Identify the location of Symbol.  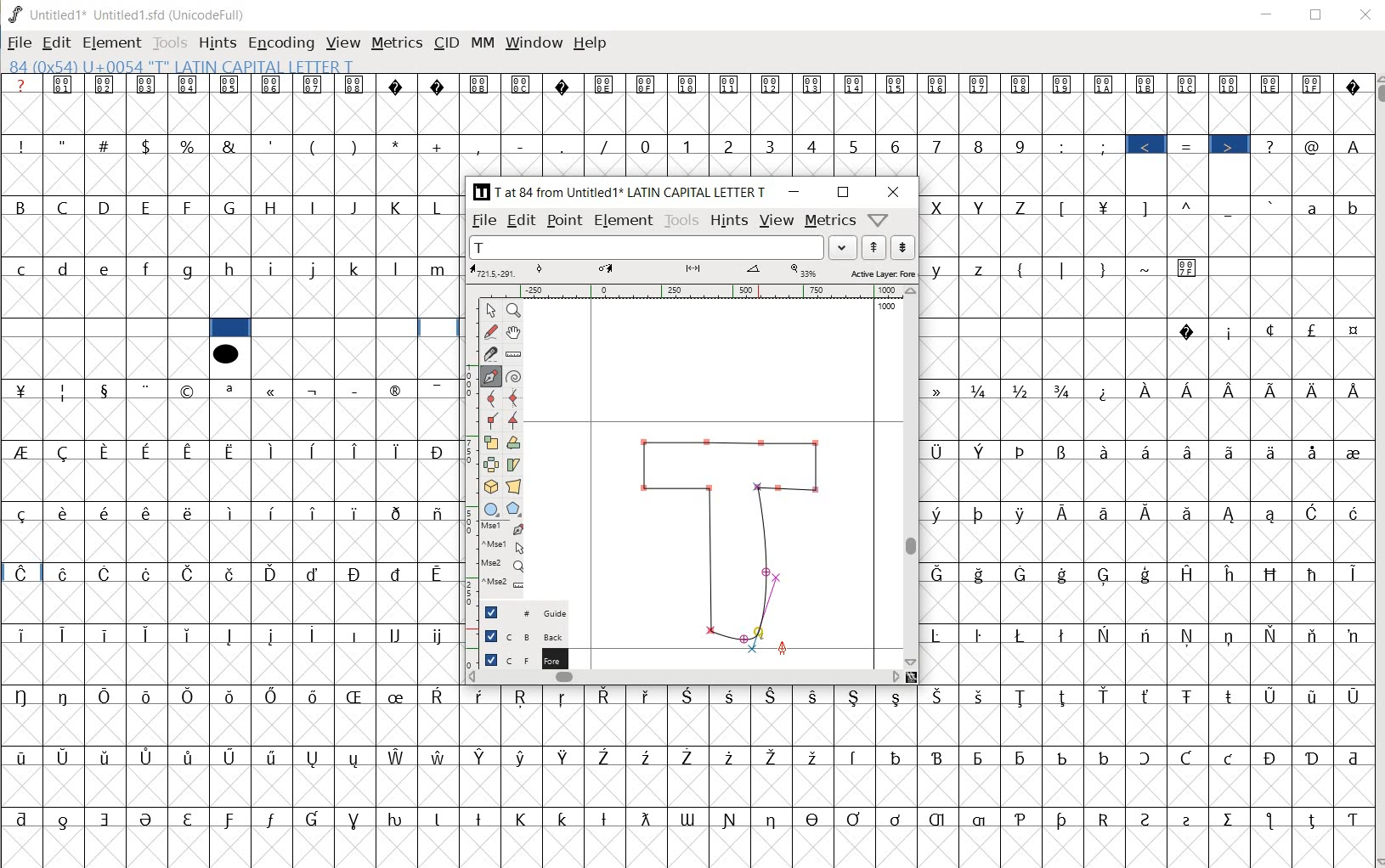
(1314, 84).